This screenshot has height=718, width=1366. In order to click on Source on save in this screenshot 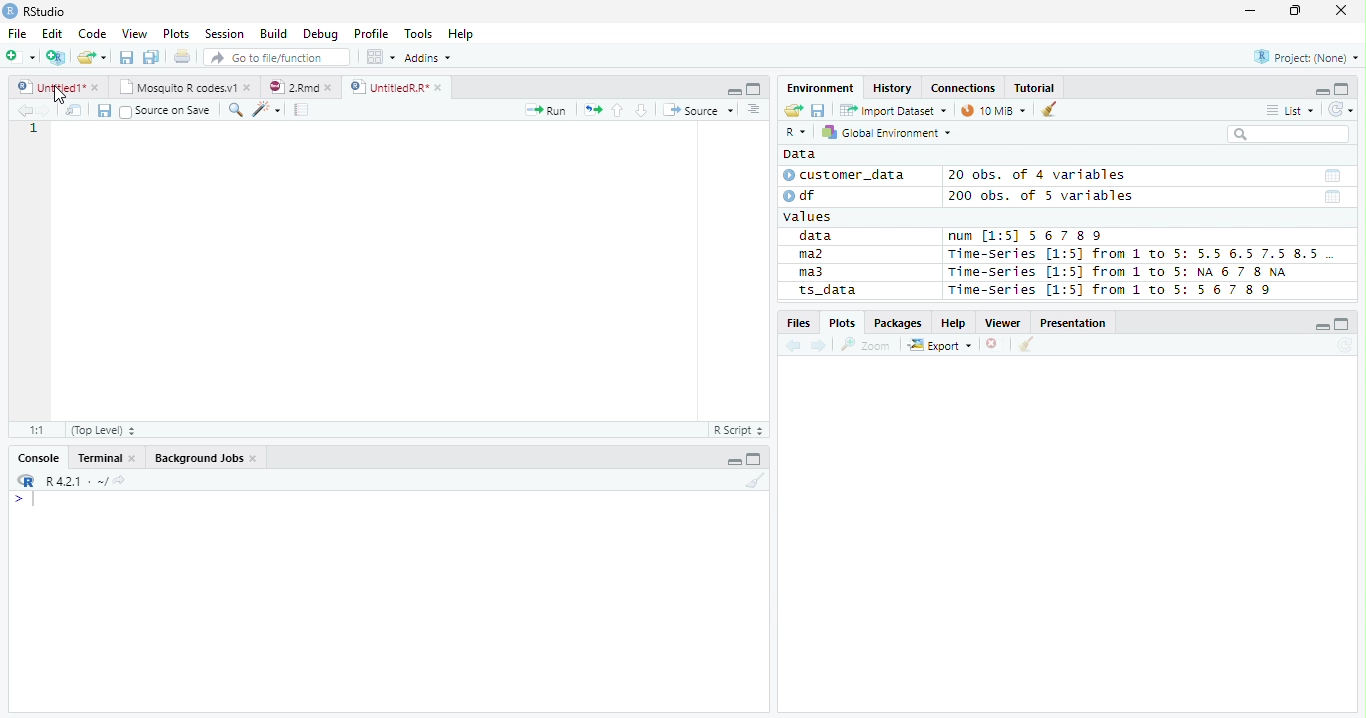, I will do `click(166, 111)`.